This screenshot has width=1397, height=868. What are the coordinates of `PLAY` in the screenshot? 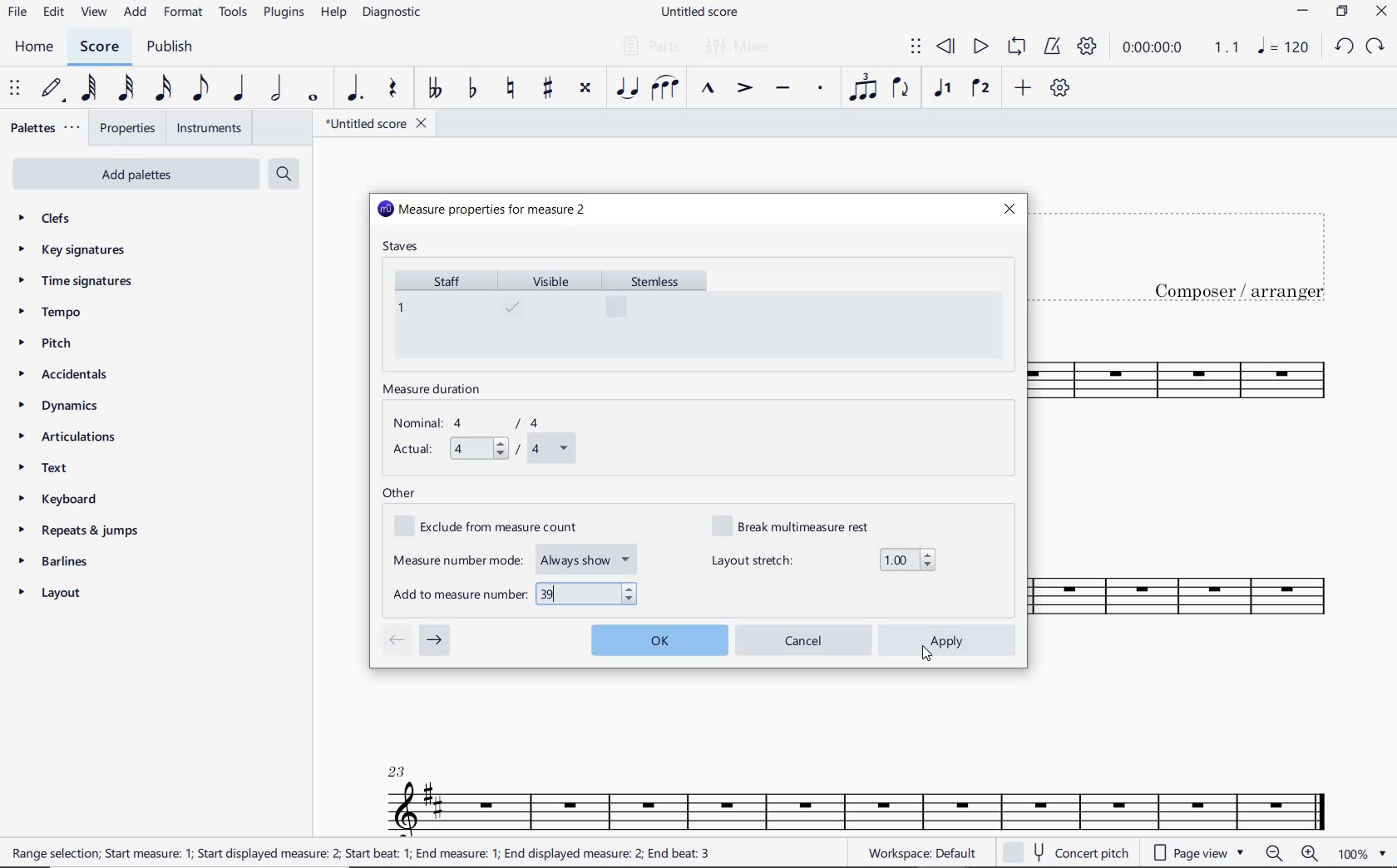 It's located at (979, 47).